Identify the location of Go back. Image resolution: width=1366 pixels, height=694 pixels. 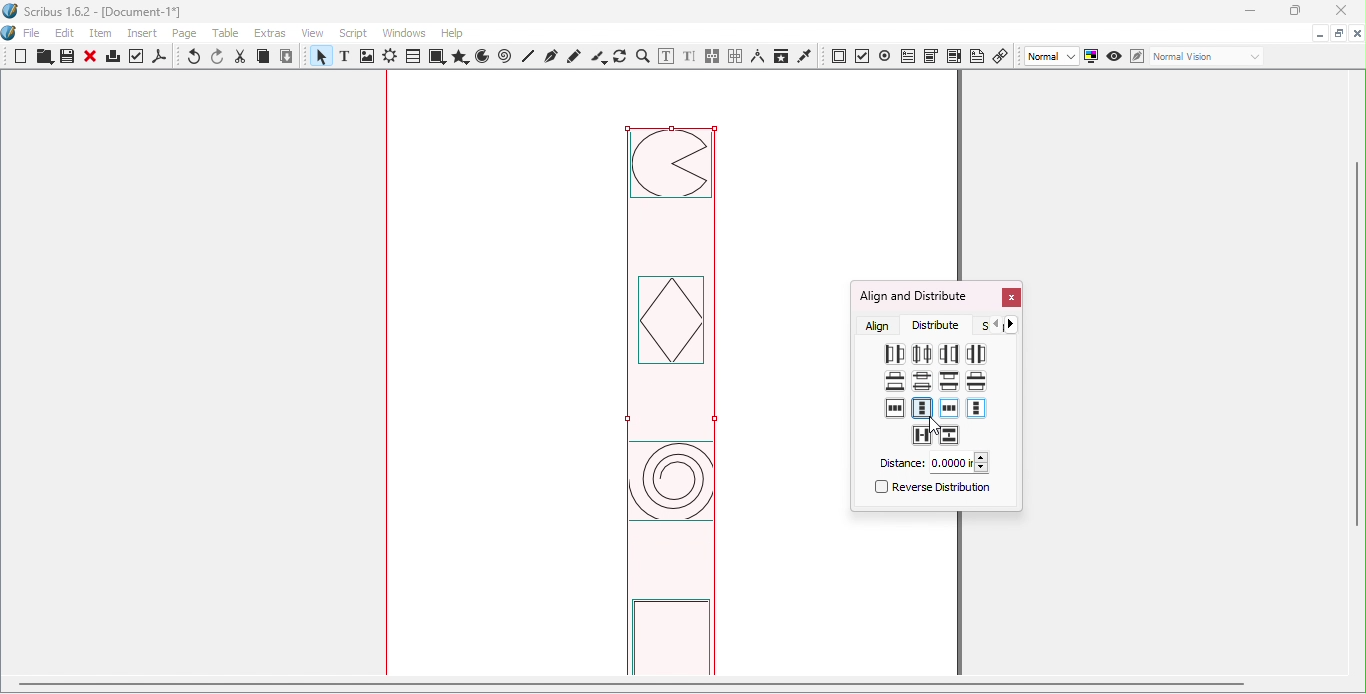
(996, 325).